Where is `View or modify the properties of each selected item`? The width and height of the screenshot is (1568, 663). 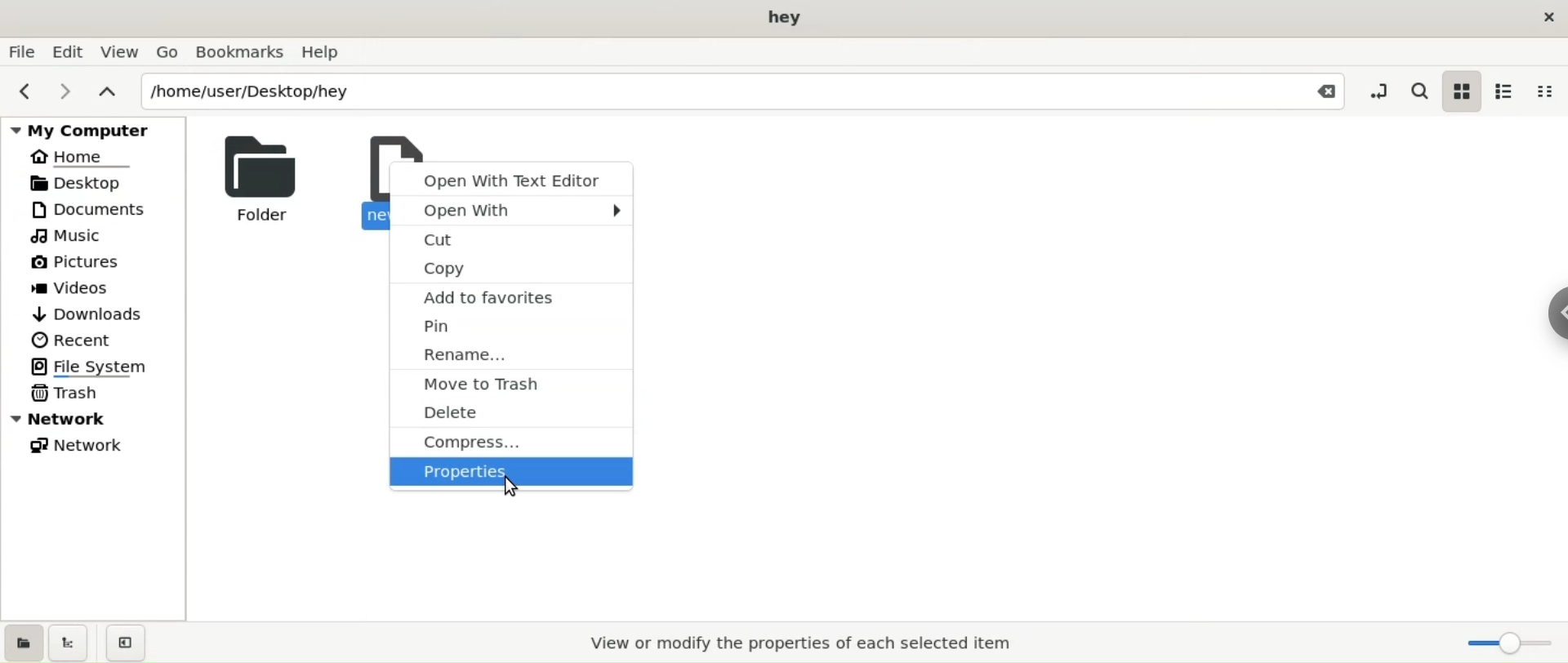 View or modify the properties of each selected item is located at coordinates (806, 644).